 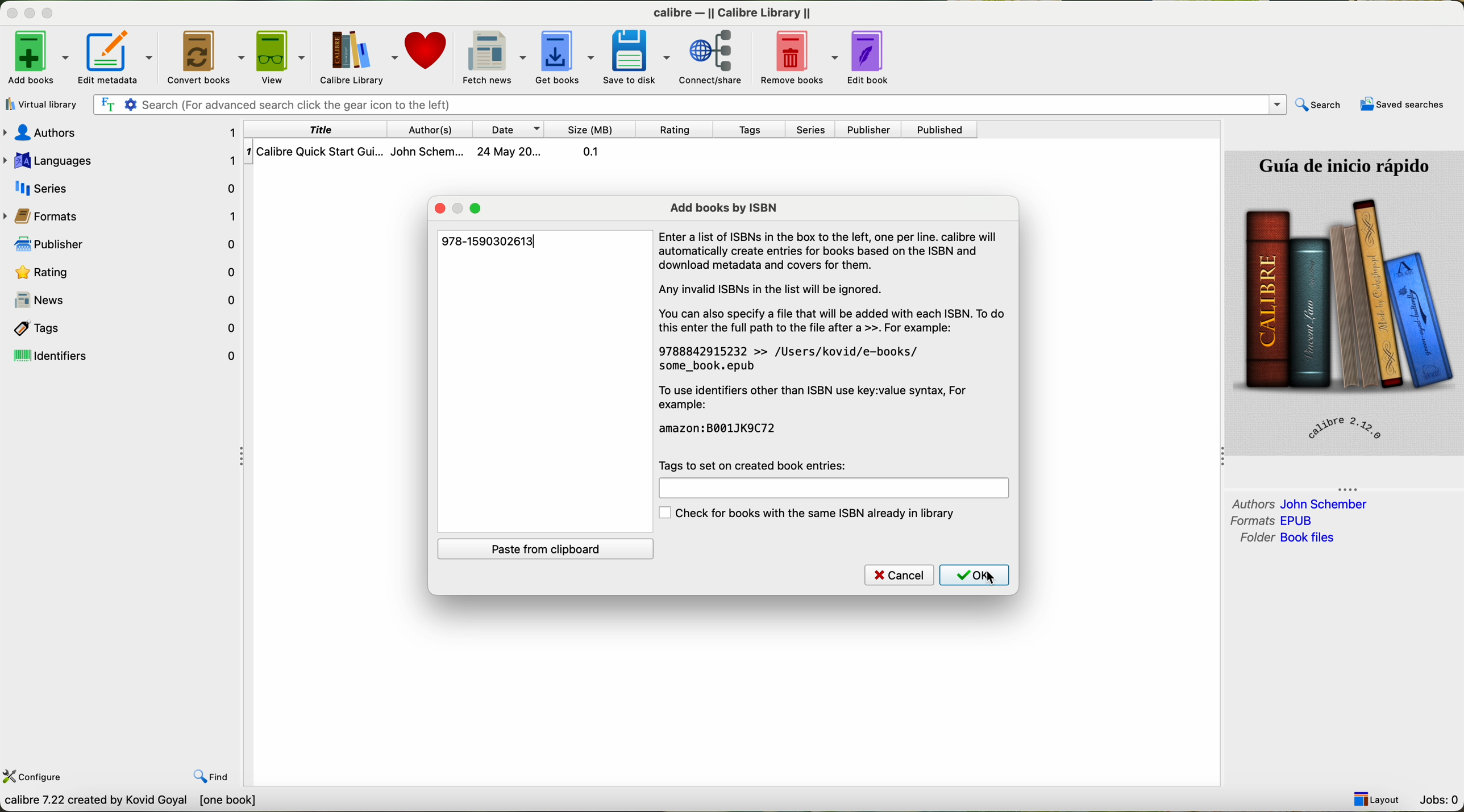 I want to click on find, so click(x=212, y=776).